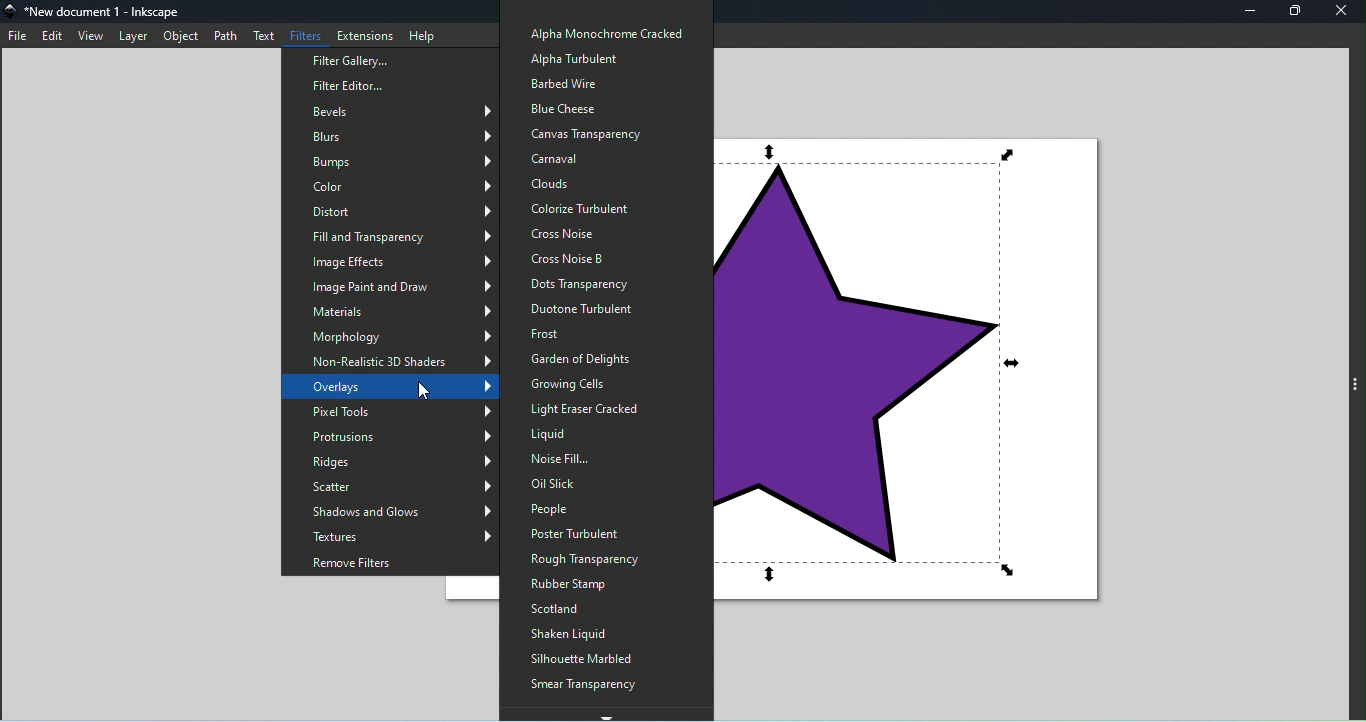 Image resolution: width=1366 pixels, height=722 pixels. What do you see at coordinates (392, 562) in the screenshot?
I see `Remove filters` at bounding box center [392, 562].